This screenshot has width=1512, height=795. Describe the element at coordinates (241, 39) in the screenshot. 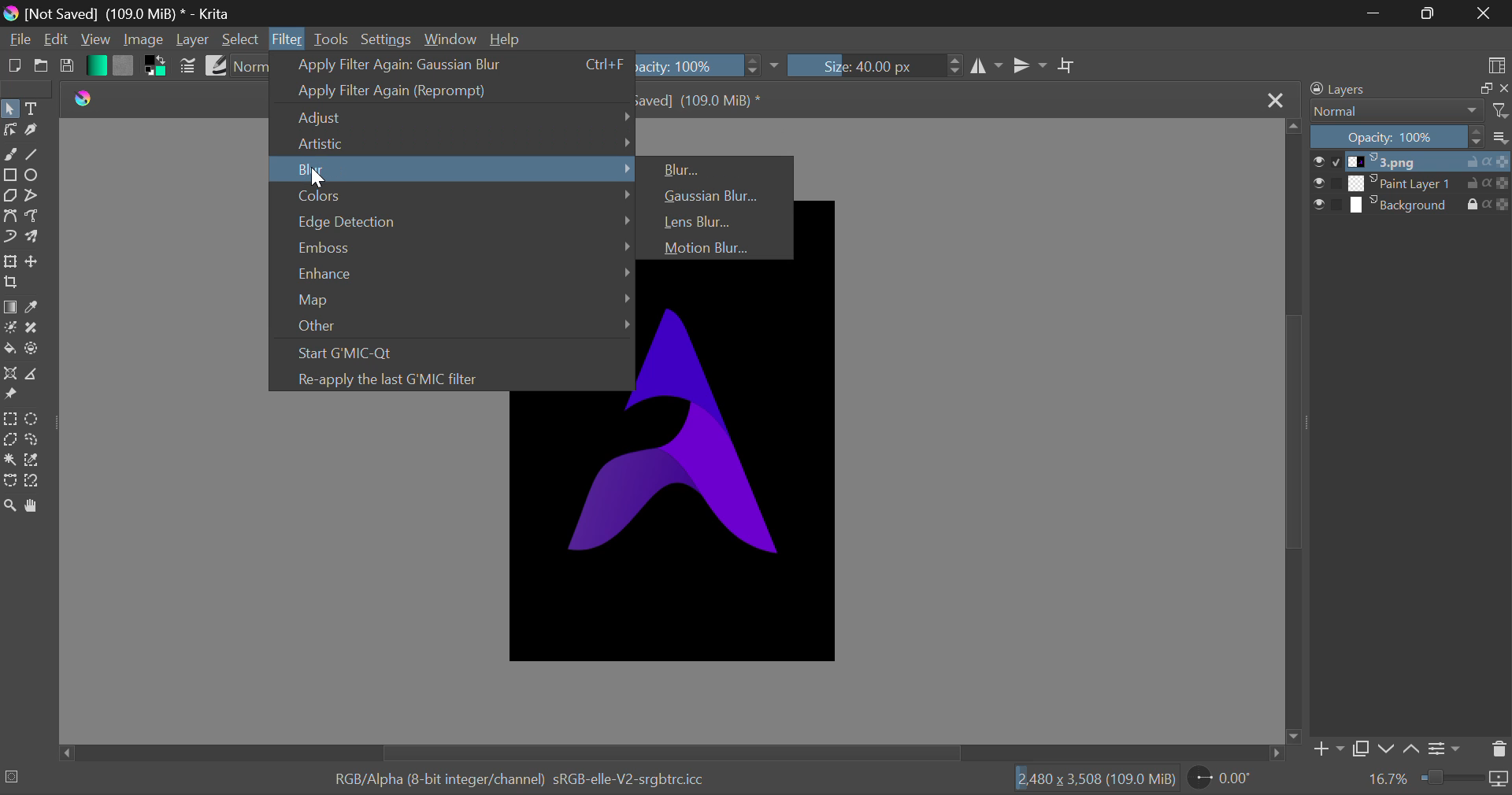

I see `Select` at that location.